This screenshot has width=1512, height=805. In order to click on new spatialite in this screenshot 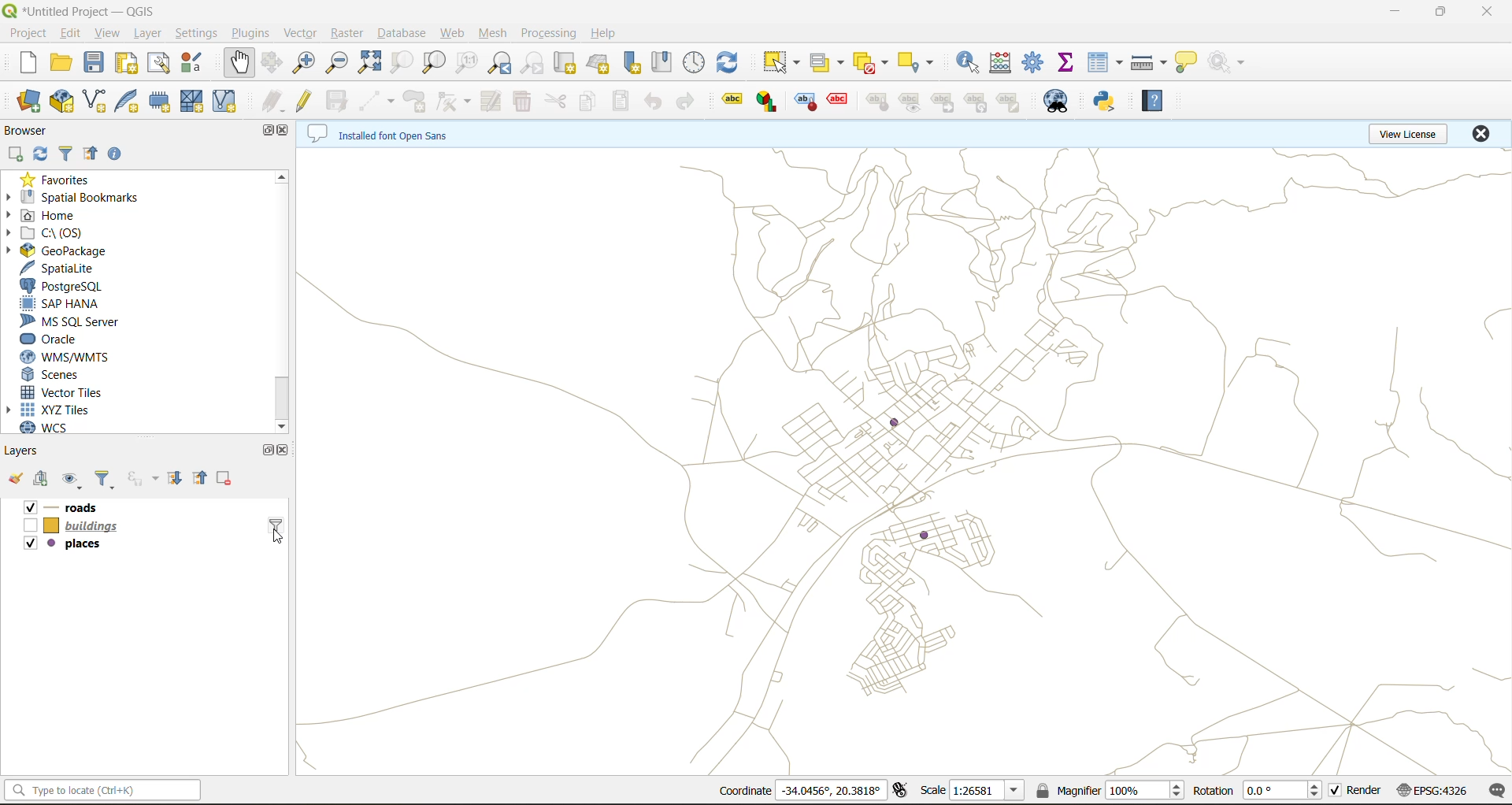, I will do `click(131, 103)`.